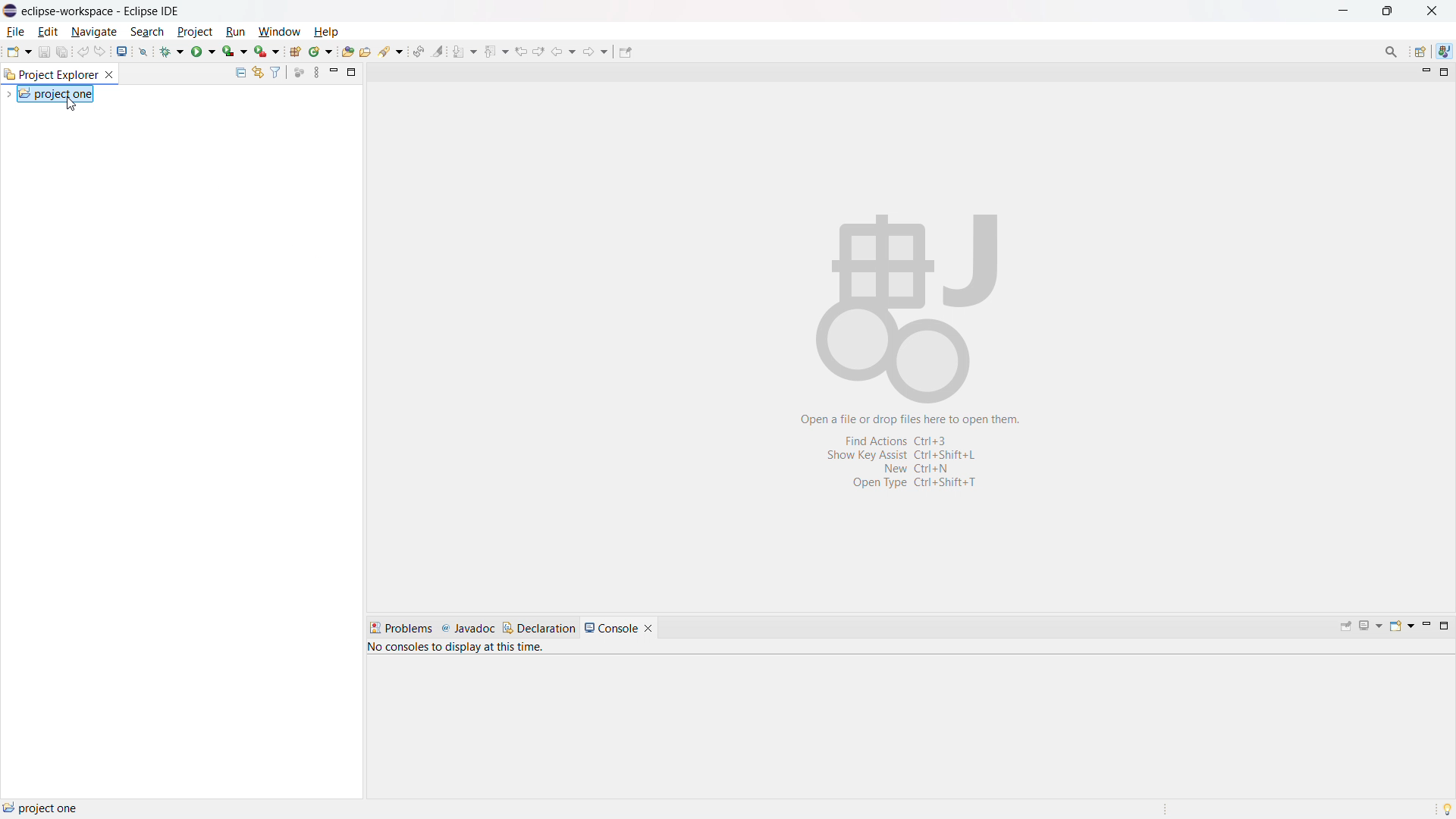 Image resolution: width=1456 pixels, height=819 pixels. Describe the element at coordinates (538, 49) in the screenshot. I see `view next location` at that location.